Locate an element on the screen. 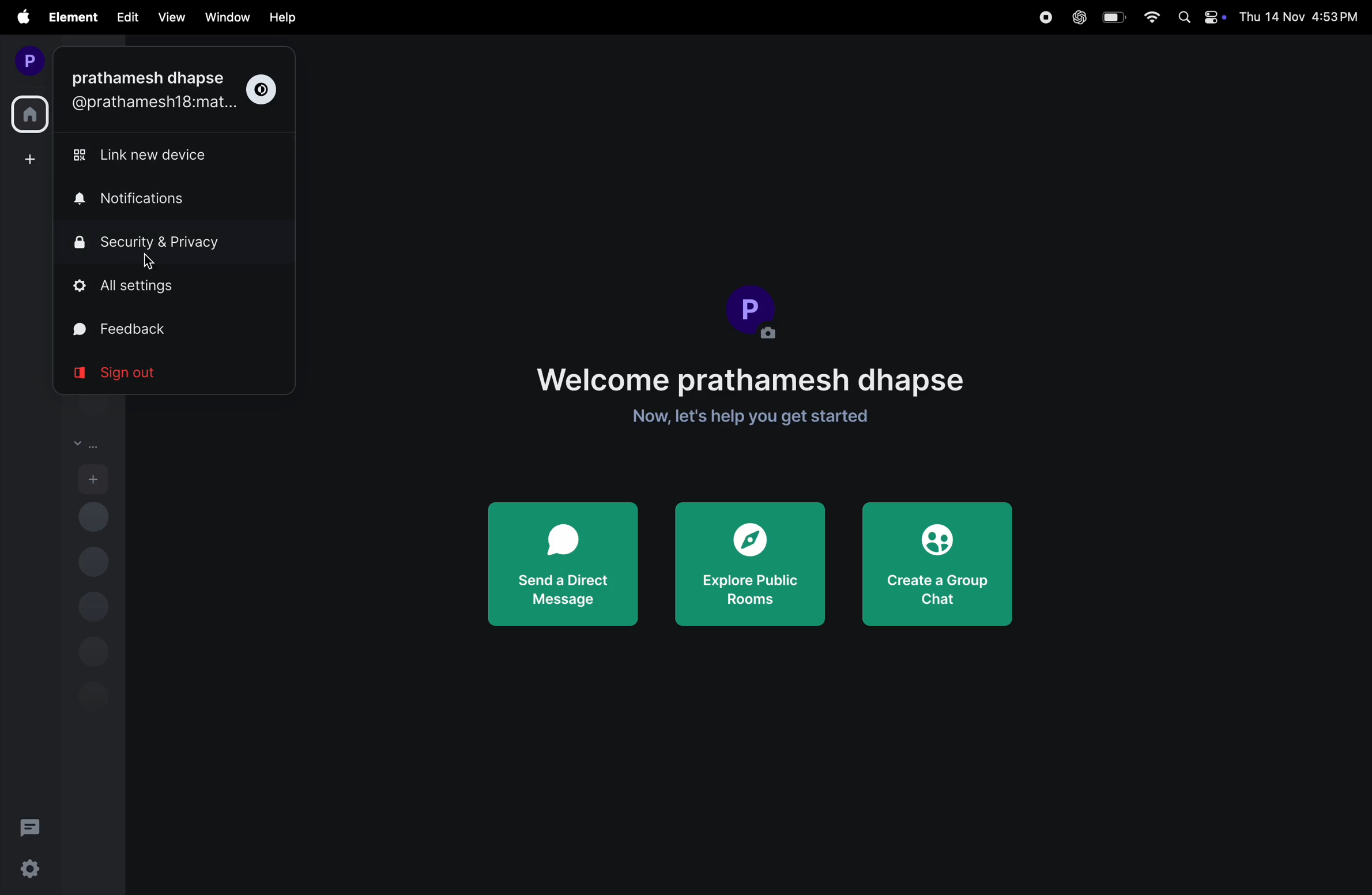  send direct message is located at coordinates (561, 565).